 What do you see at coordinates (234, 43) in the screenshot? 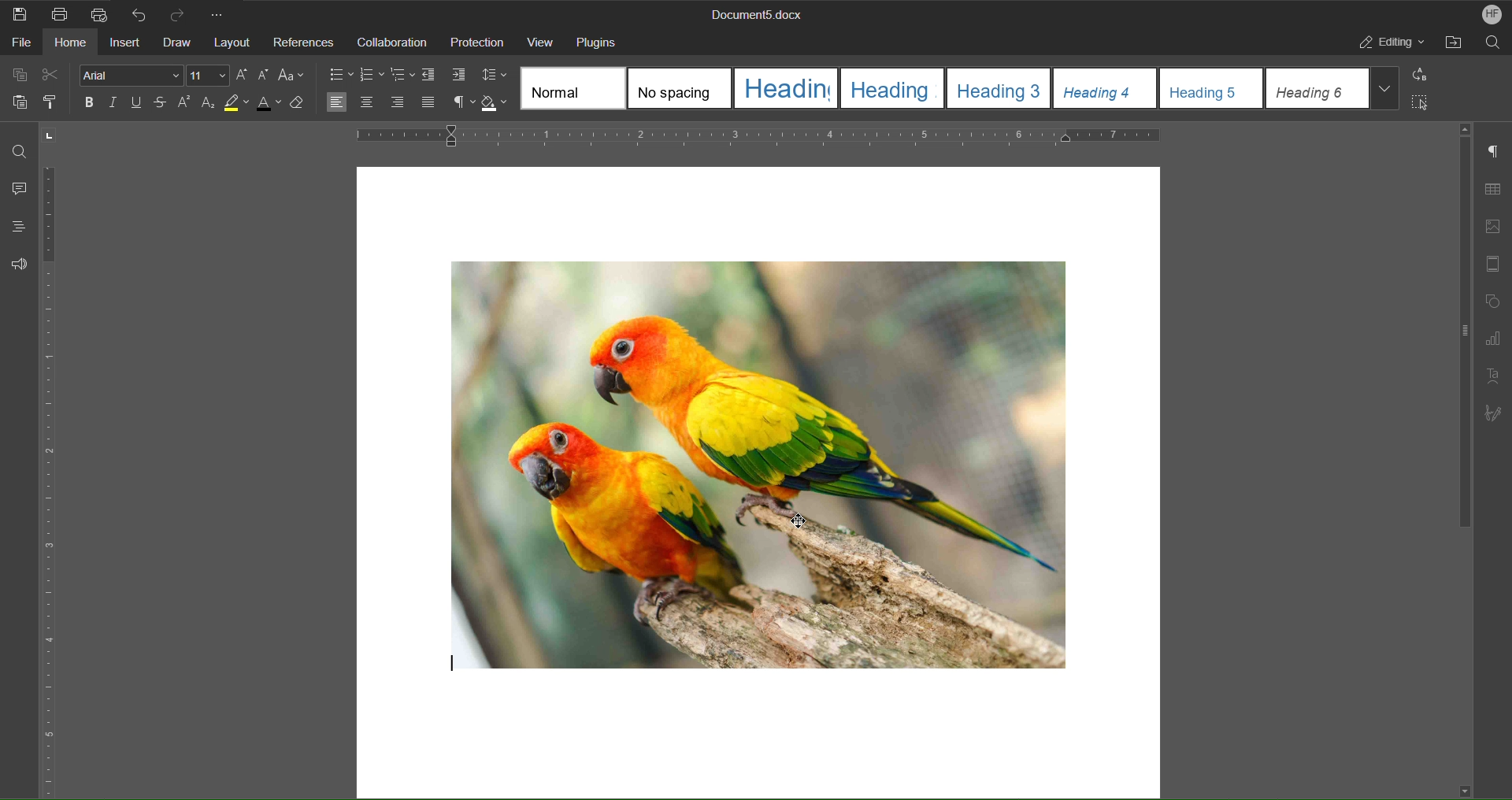
I see `Layout` at bounding box center [234, 43].